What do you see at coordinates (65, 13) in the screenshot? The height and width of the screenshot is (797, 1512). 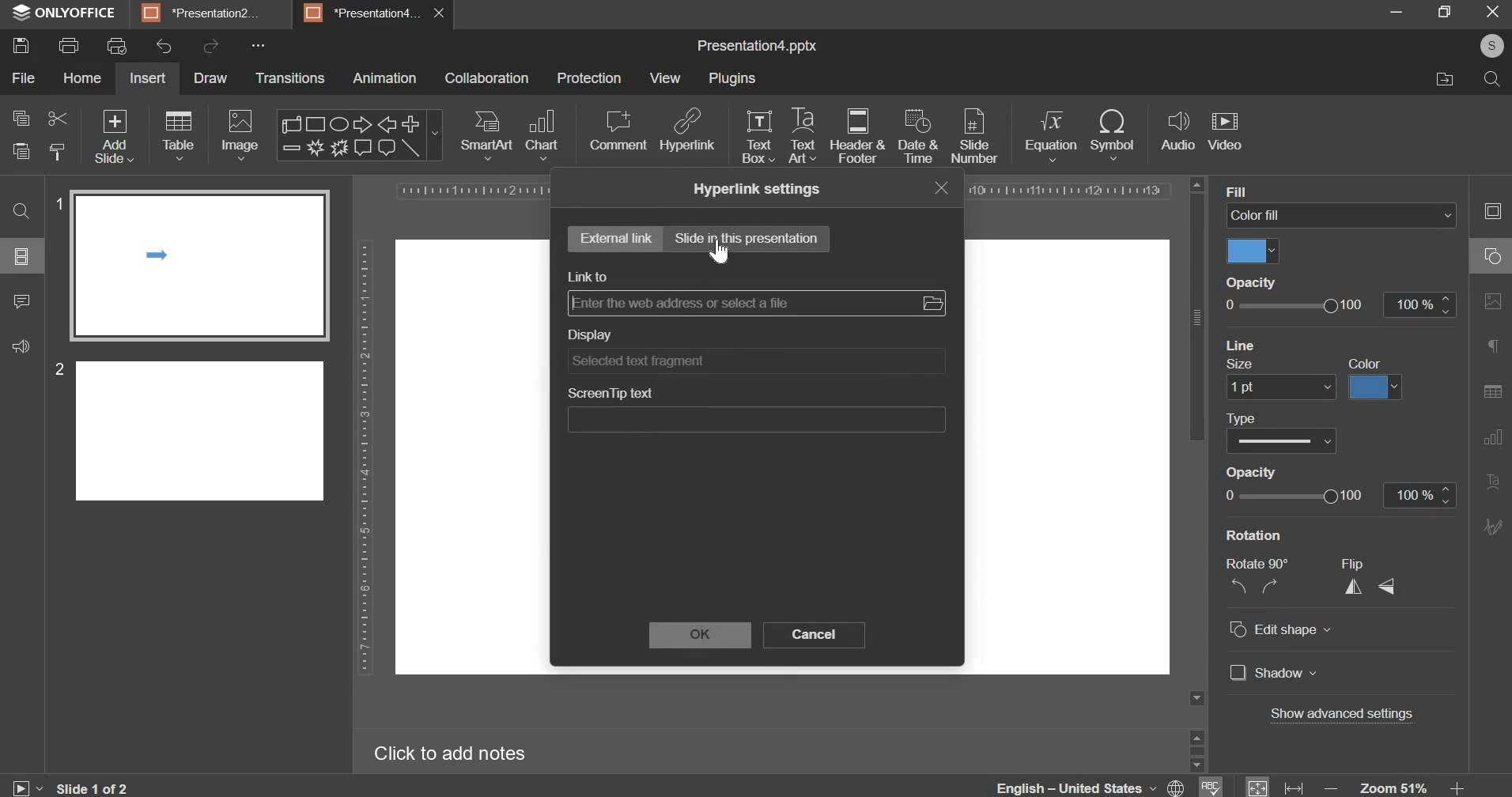 I see `ONLYOFFICE` at bounding box center [65, 13].